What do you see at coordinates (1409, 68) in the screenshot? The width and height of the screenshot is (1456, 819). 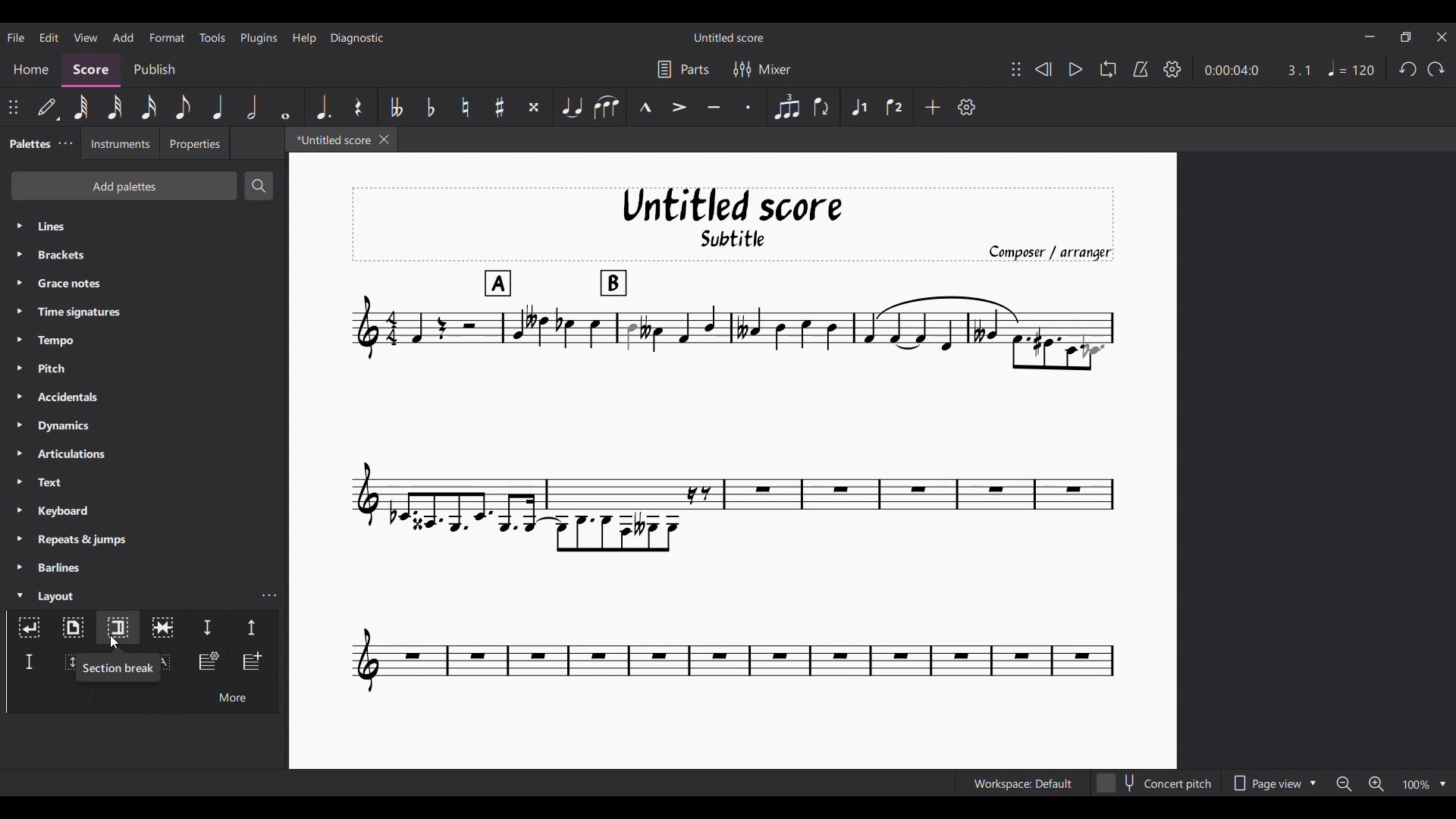 I see `Undo` at bounding box center [1409, 68].